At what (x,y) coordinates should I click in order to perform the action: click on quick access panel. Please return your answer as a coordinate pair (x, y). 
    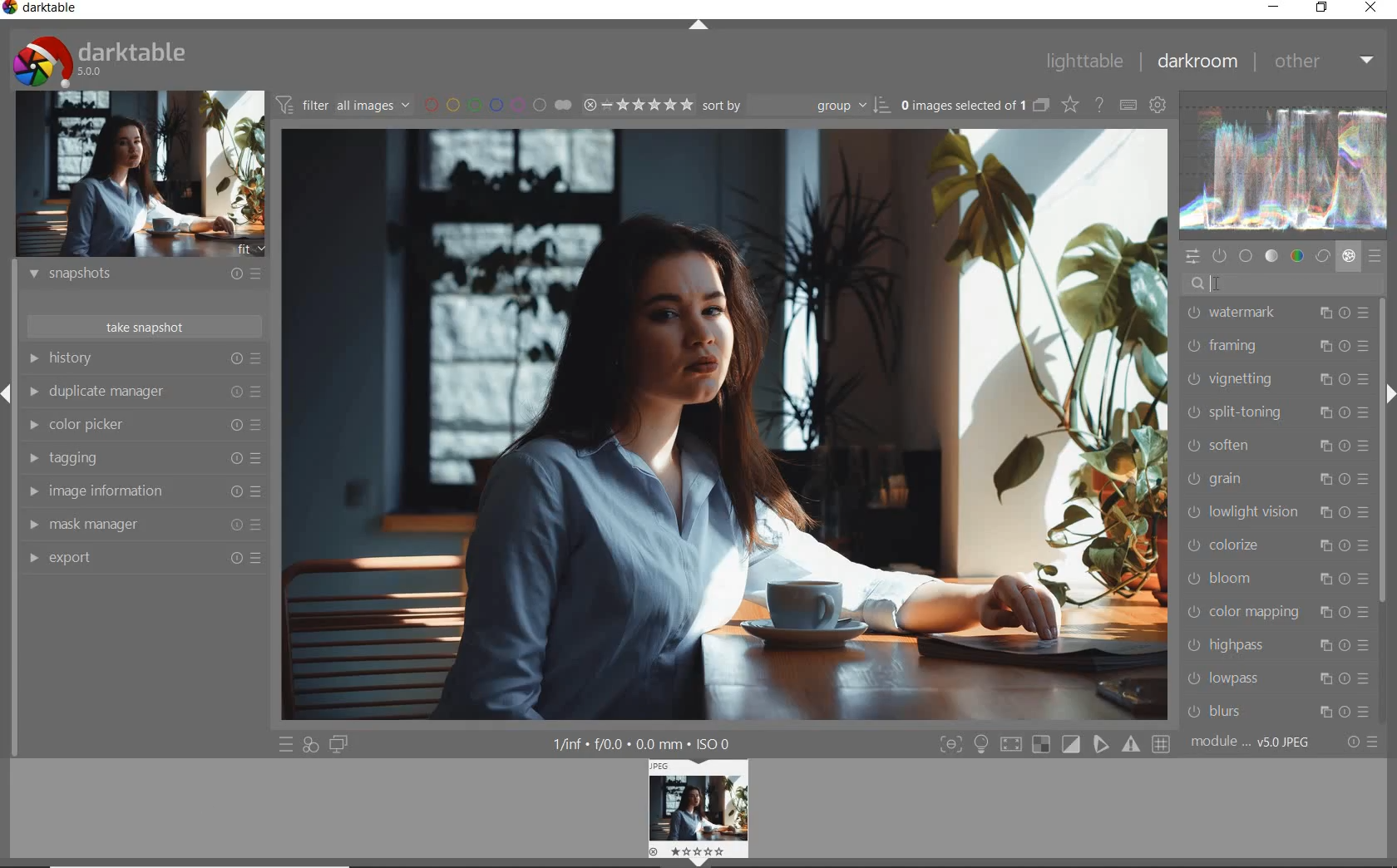
    Looking at the image, I should click on (1193, 257).